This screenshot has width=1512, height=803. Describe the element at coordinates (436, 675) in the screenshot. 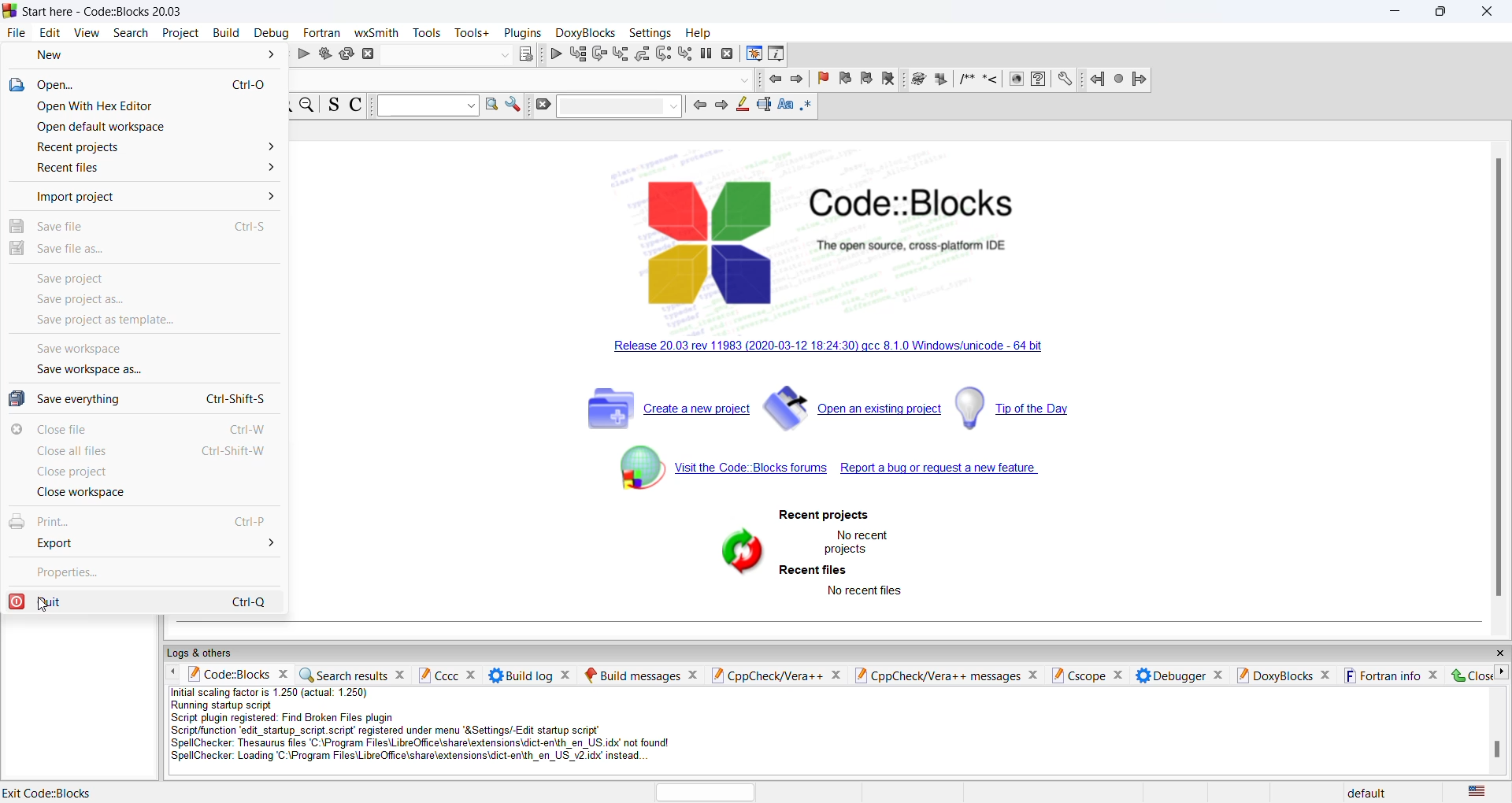

I see `Ccc pane` at that location.